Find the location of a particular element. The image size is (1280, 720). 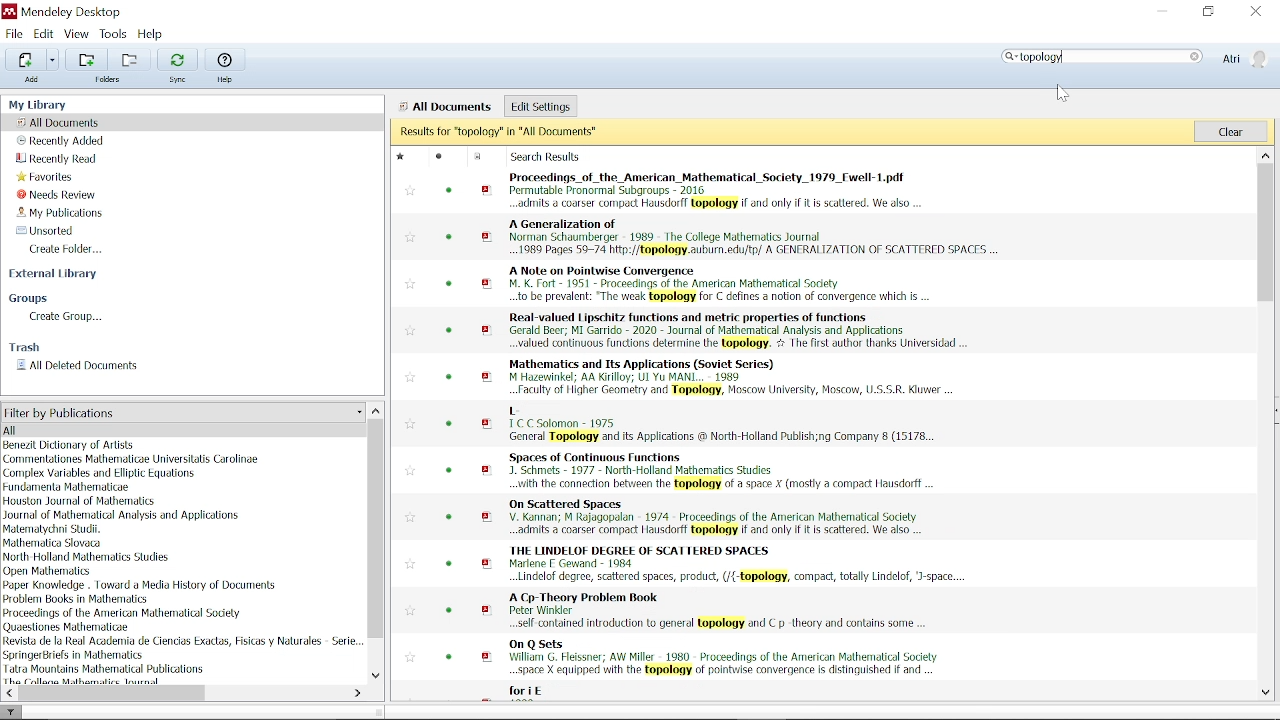

favourite is located at coordinates (408, 191).